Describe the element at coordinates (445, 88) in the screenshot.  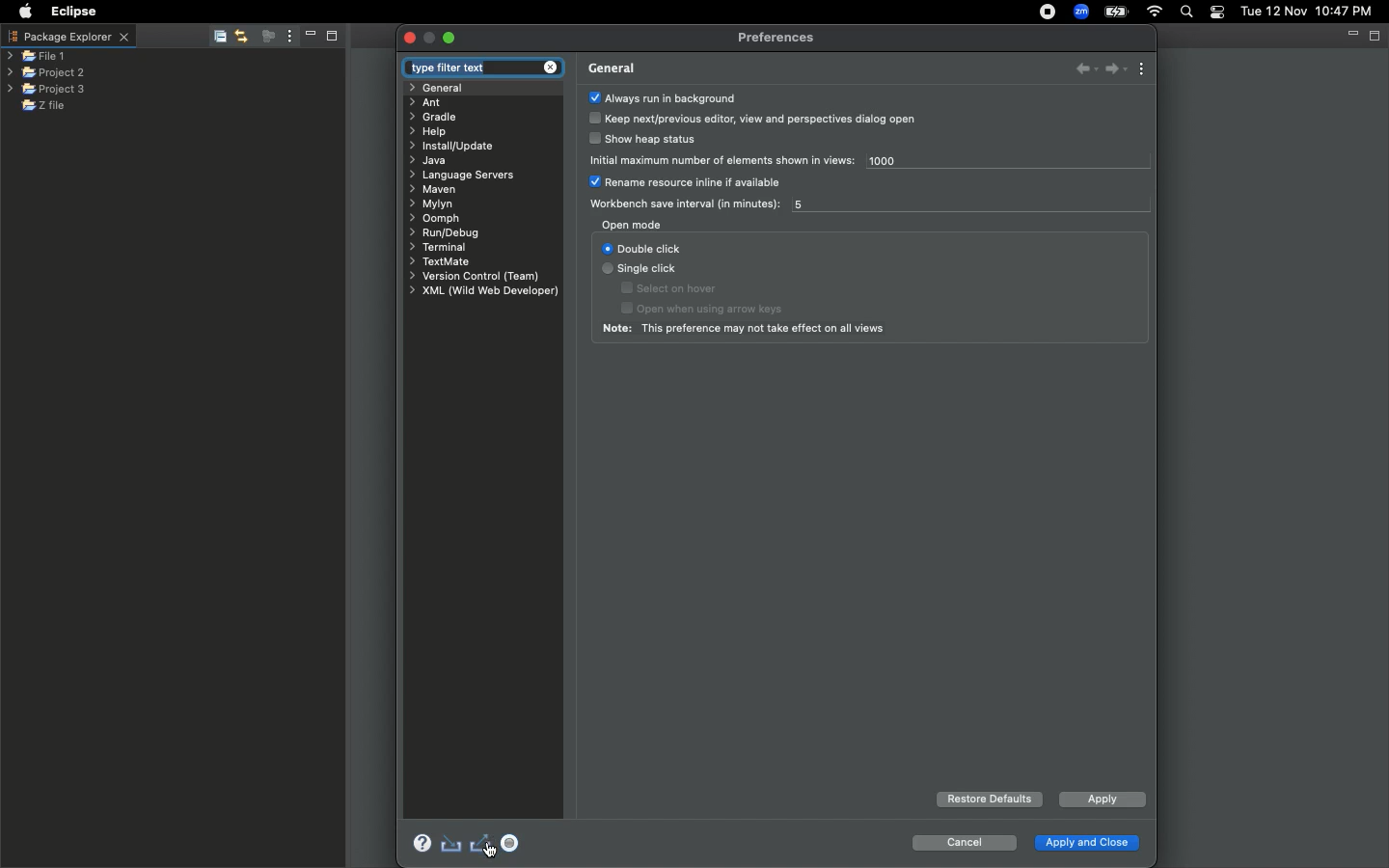
I see `General` at that location.